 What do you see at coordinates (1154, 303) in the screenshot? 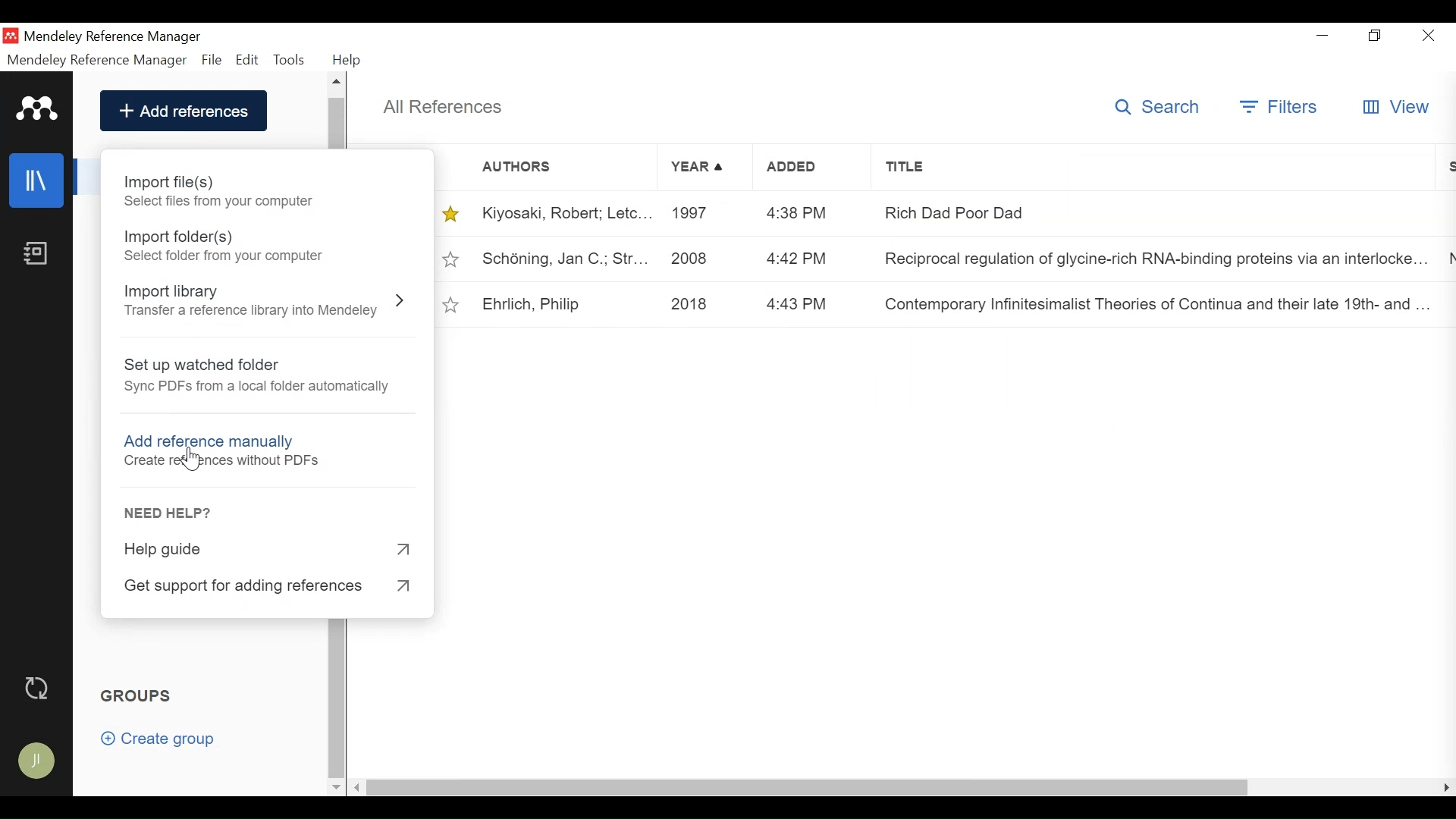
I see `Contemporary Infinitesimalist Theories of Continua and their late 19th-and` at bounding box center [1154, 303].